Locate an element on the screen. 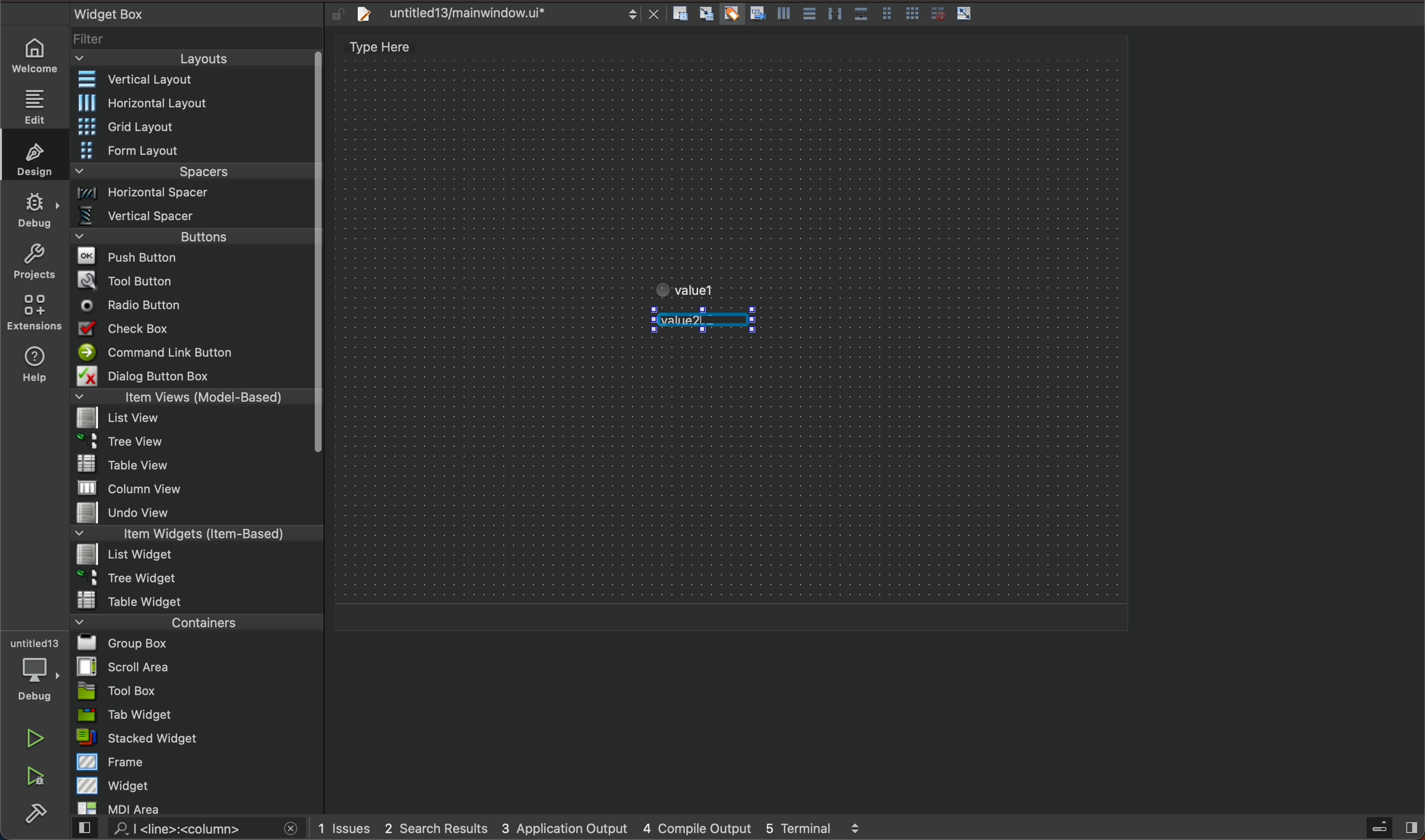 The height and width of the screenshot is (840, 1425). Vertical layout  is located at coordinates (194, 80).